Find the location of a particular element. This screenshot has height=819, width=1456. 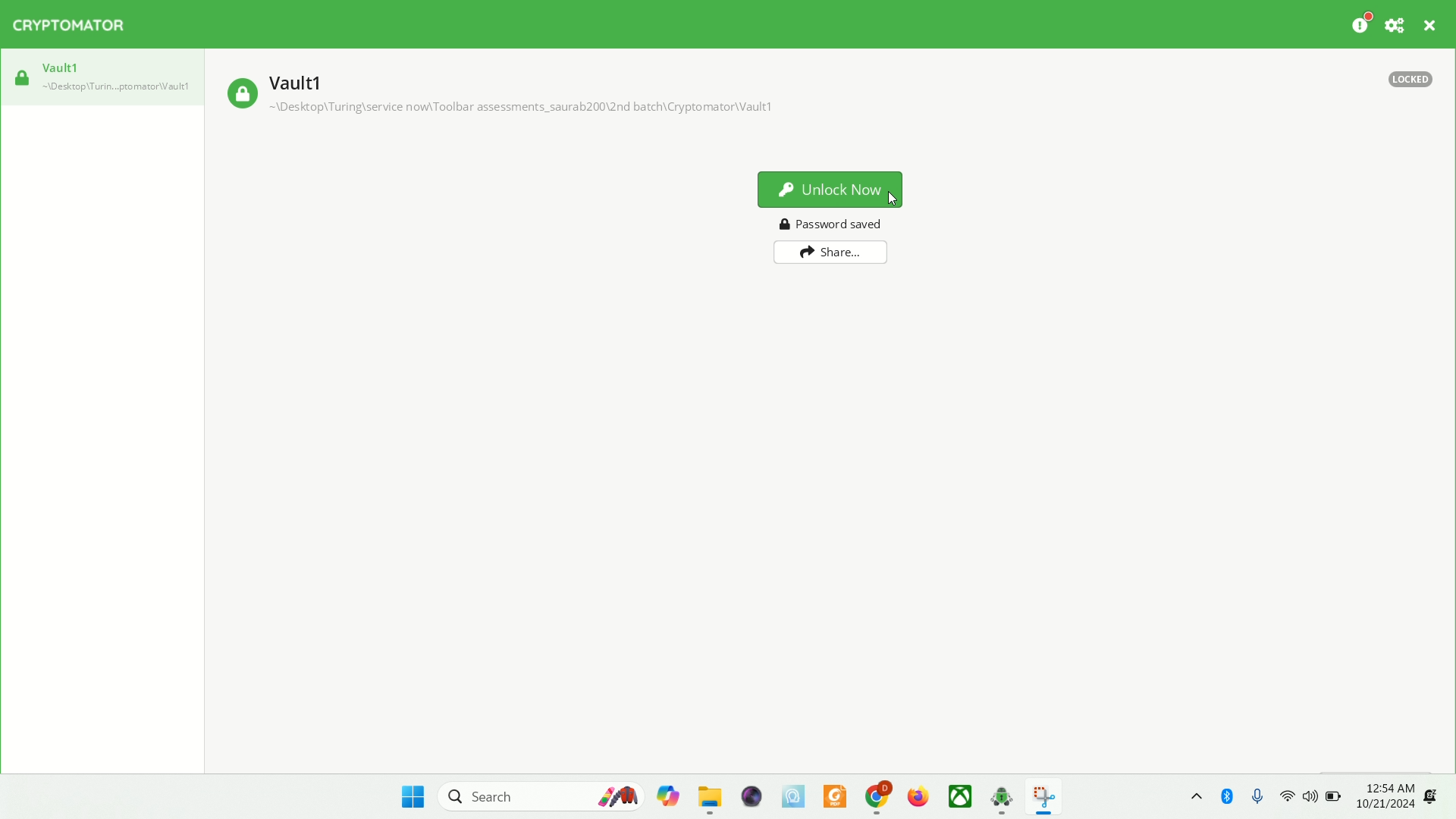

notification is located at coordinates (1432, 794).